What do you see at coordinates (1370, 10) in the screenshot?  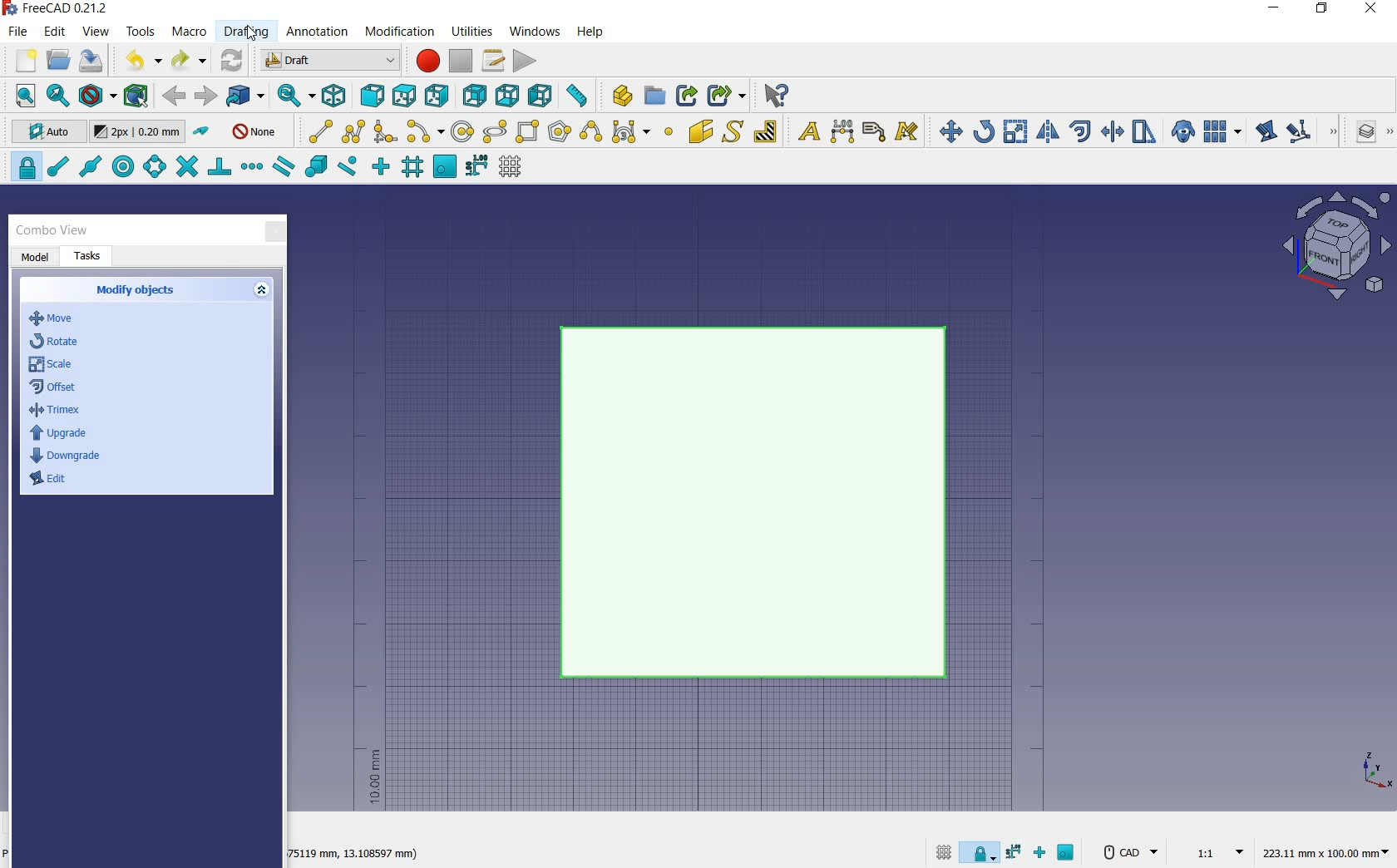 I see `close` at bounding box center [1370, 10].